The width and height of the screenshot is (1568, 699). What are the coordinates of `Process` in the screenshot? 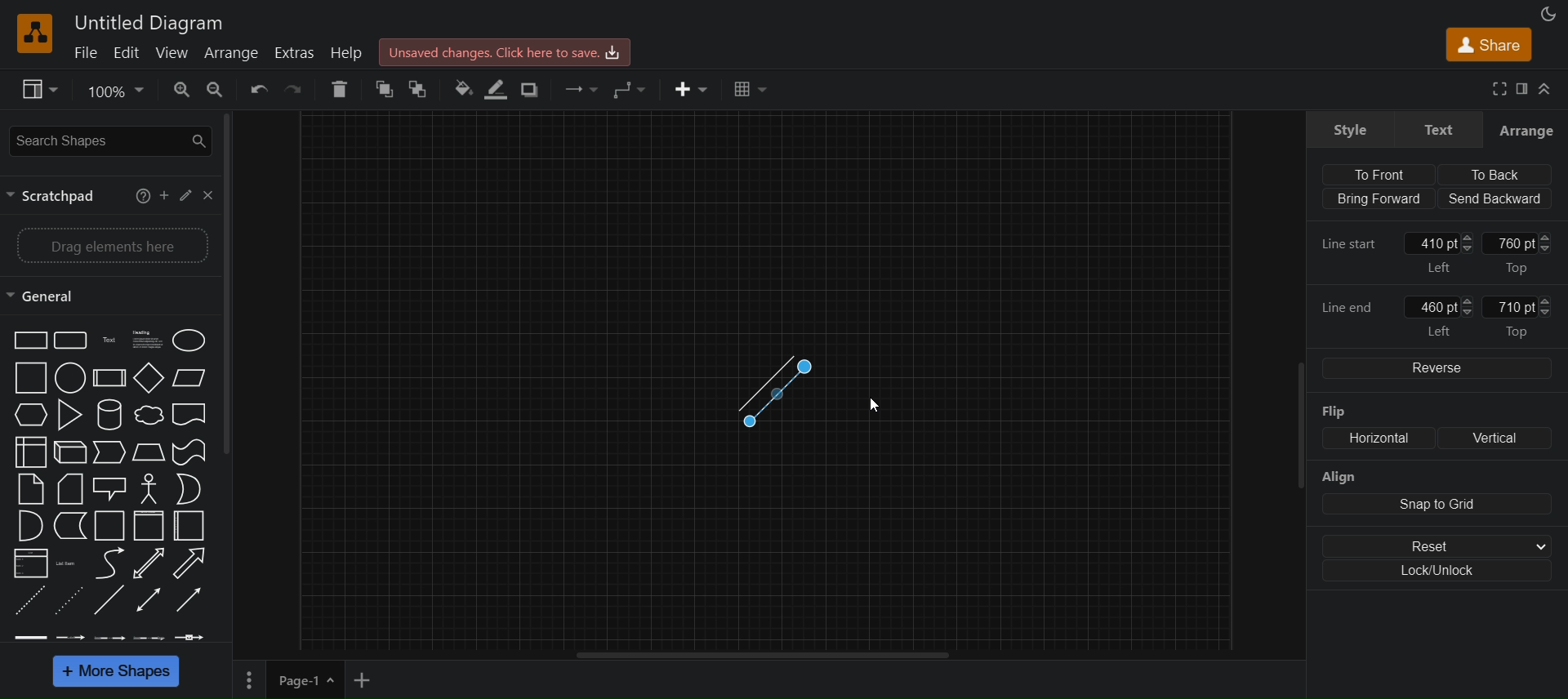 It's located at (107, 377).